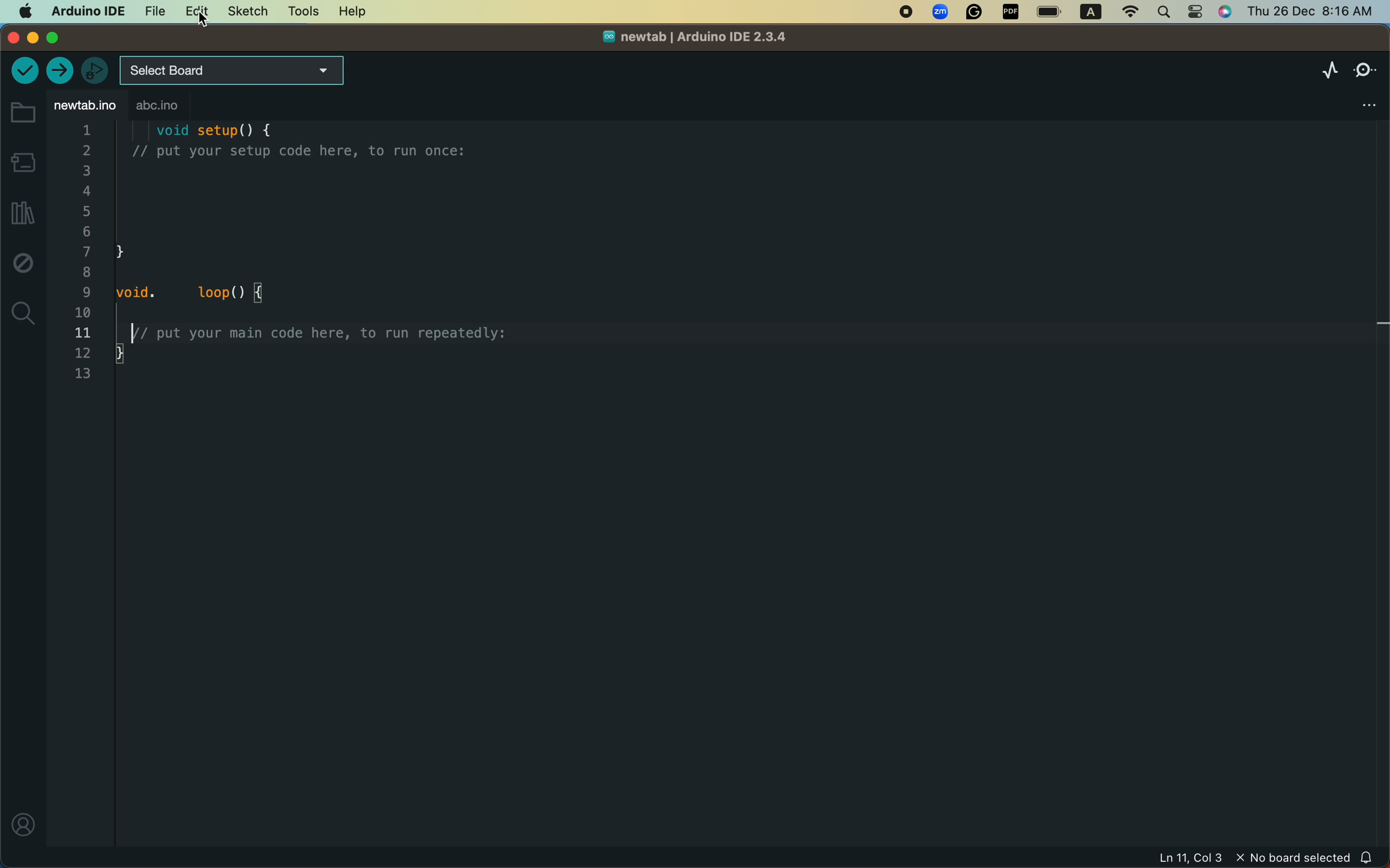 This screenshot has width=1390, height=868. What do you see at coordinates (941, 13) in the screenshot?
I see `` at bounding box center [941, 13].